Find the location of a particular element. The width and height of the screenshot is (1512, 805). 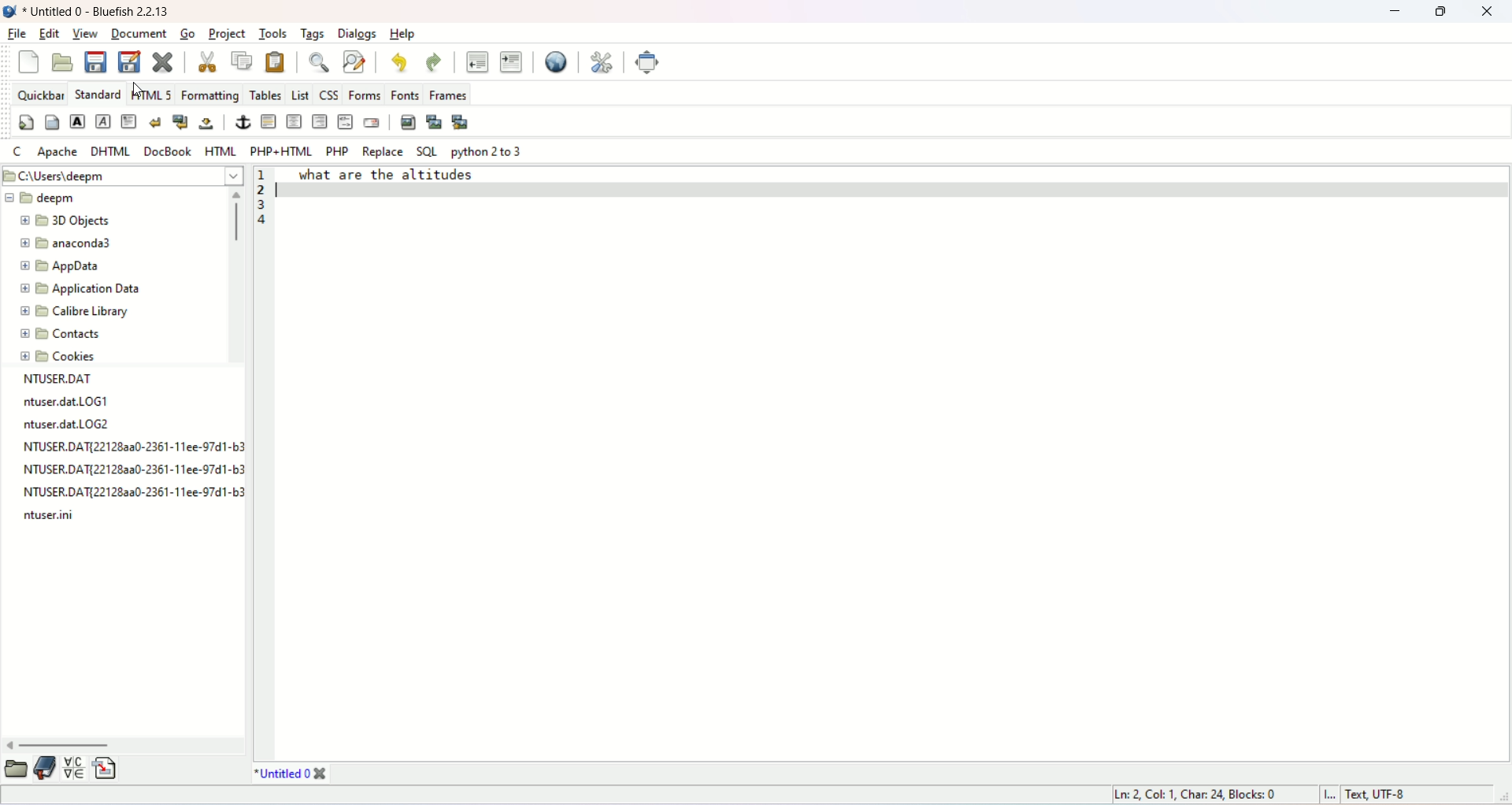

redo is located at coordinates (432, 62).